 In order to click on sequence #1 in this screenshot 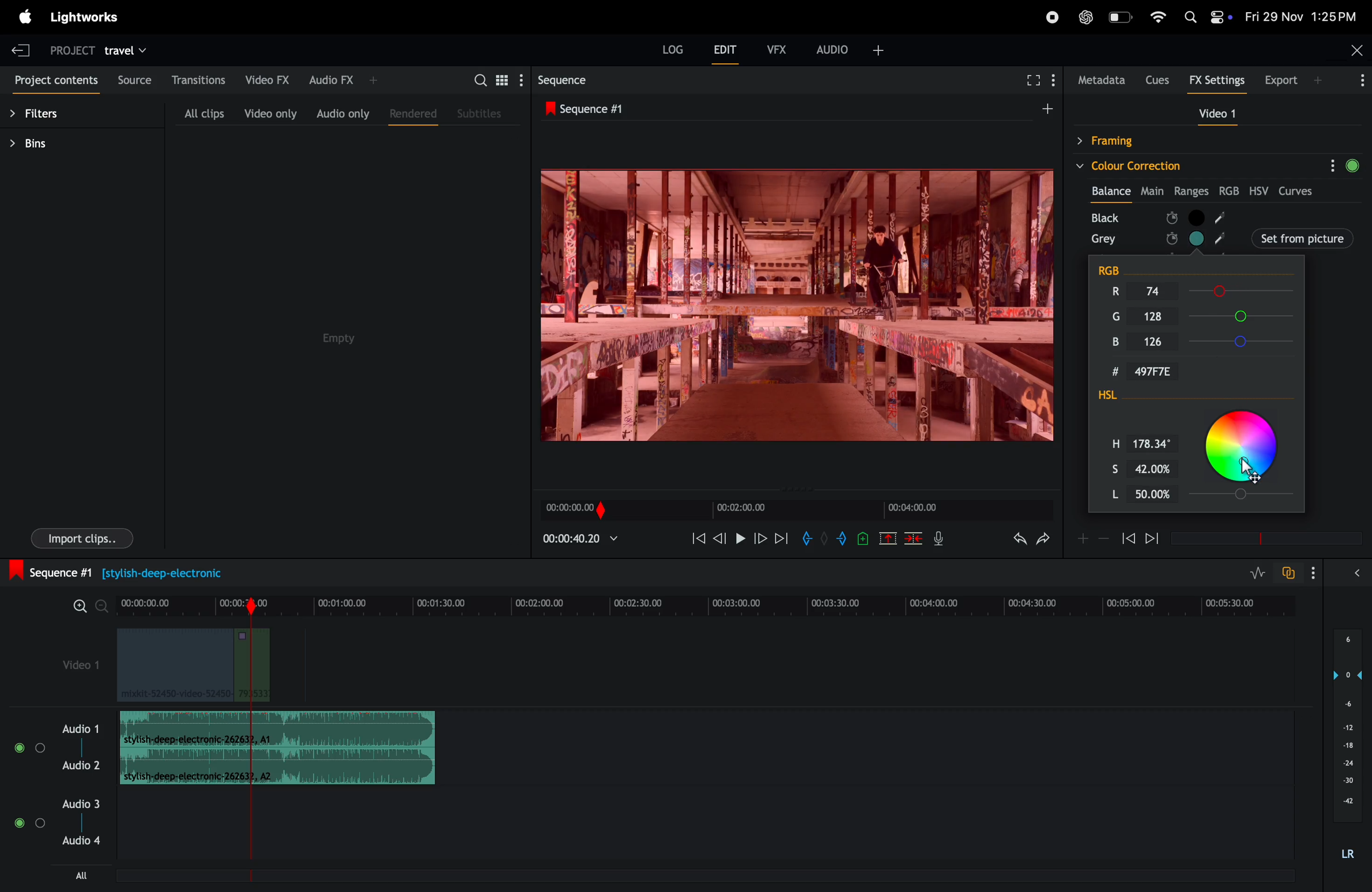, I will do `click(127, 571)`.